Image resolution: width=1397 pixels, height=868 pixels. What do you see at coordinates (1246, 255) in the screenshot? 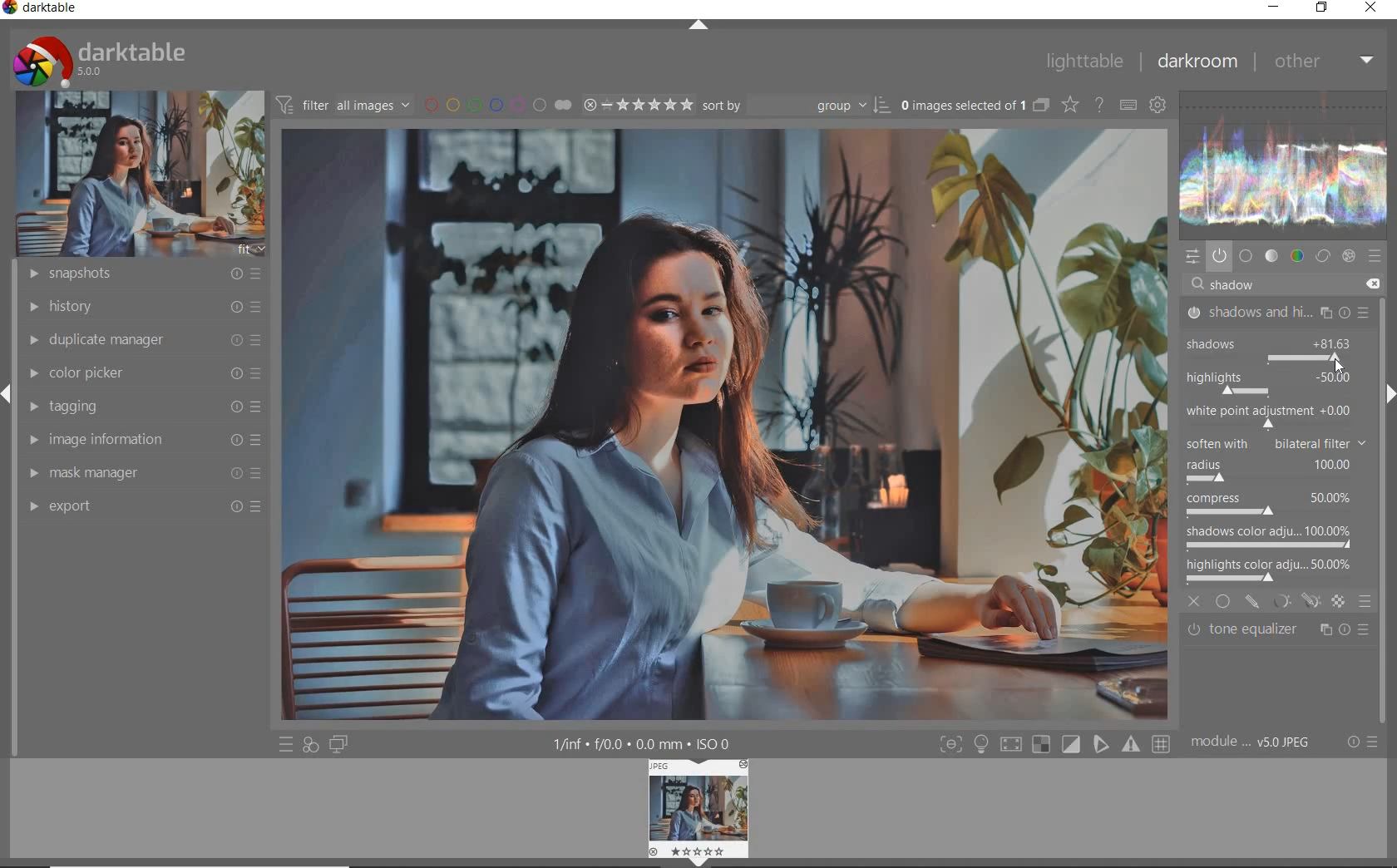
I see `base` at bounding box center [1246, 255].